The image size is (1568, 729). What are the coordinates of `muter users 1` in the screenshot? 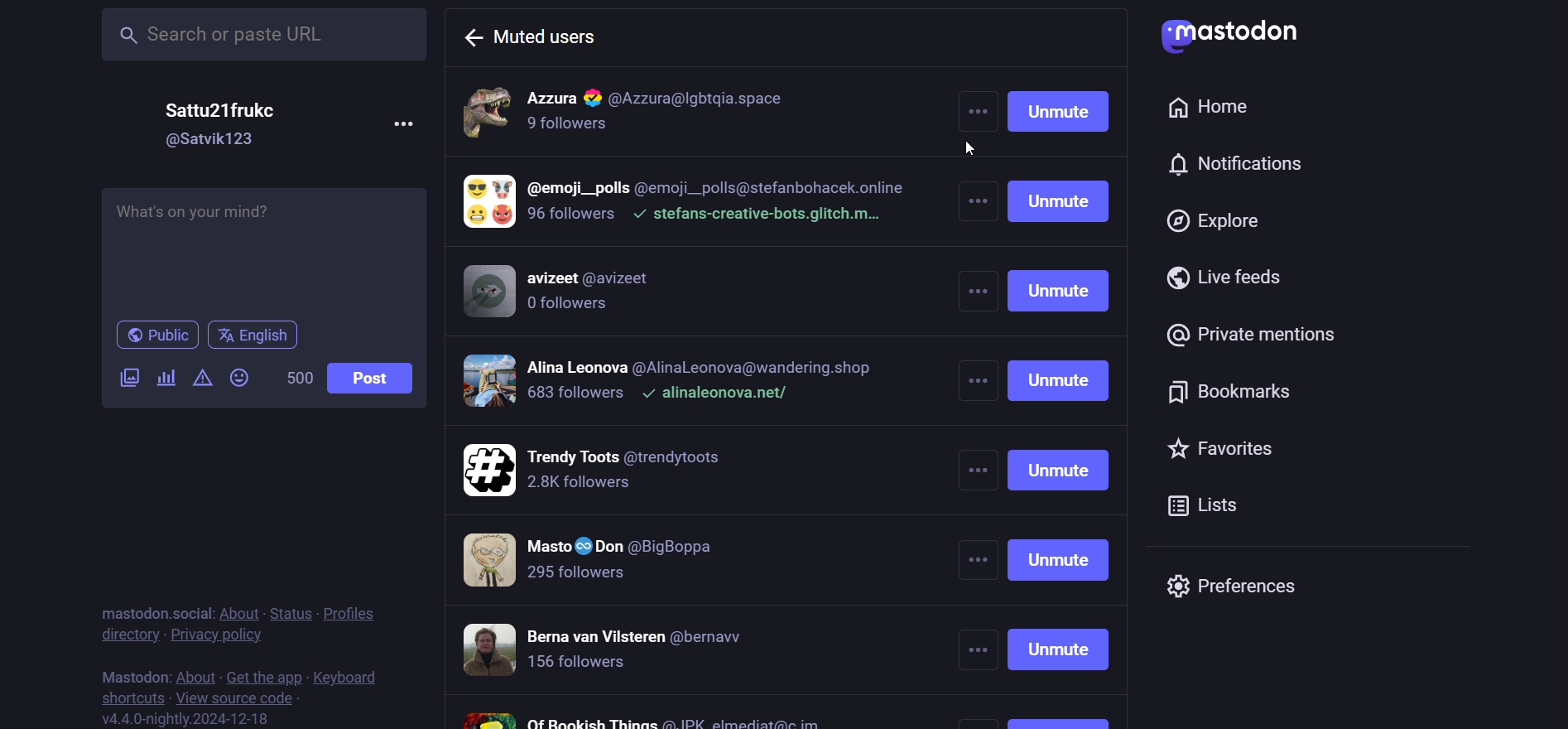 It's located at (694, 108).